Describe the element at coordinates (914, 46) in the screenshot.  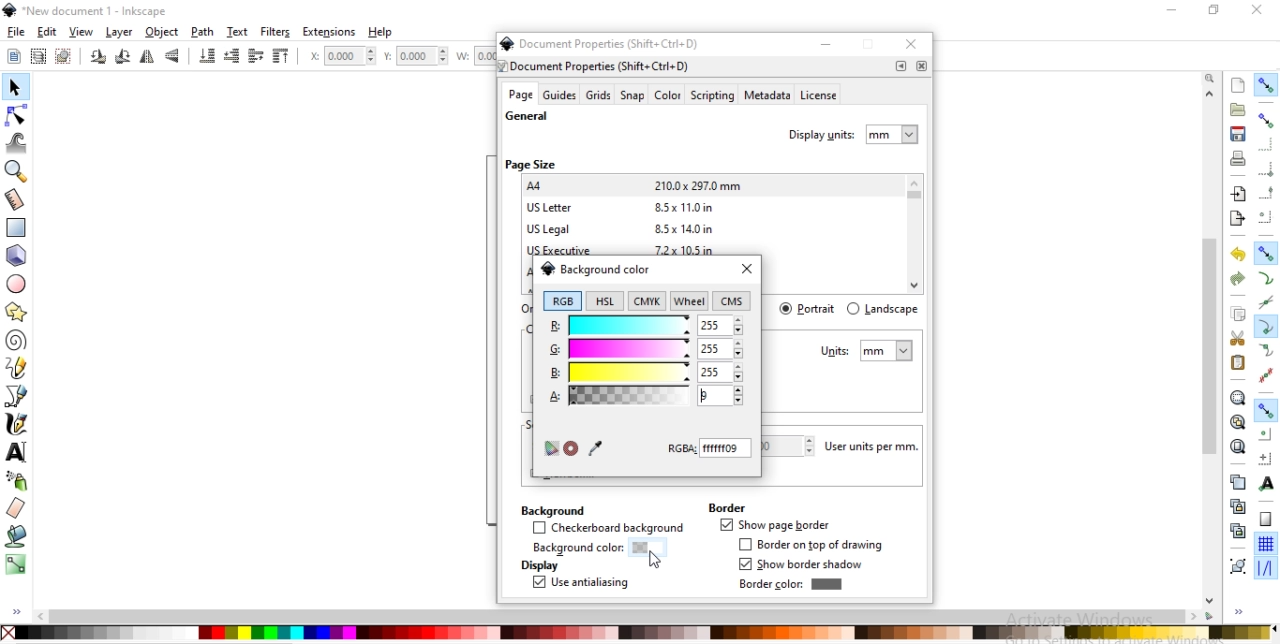
I see `close` at that location.